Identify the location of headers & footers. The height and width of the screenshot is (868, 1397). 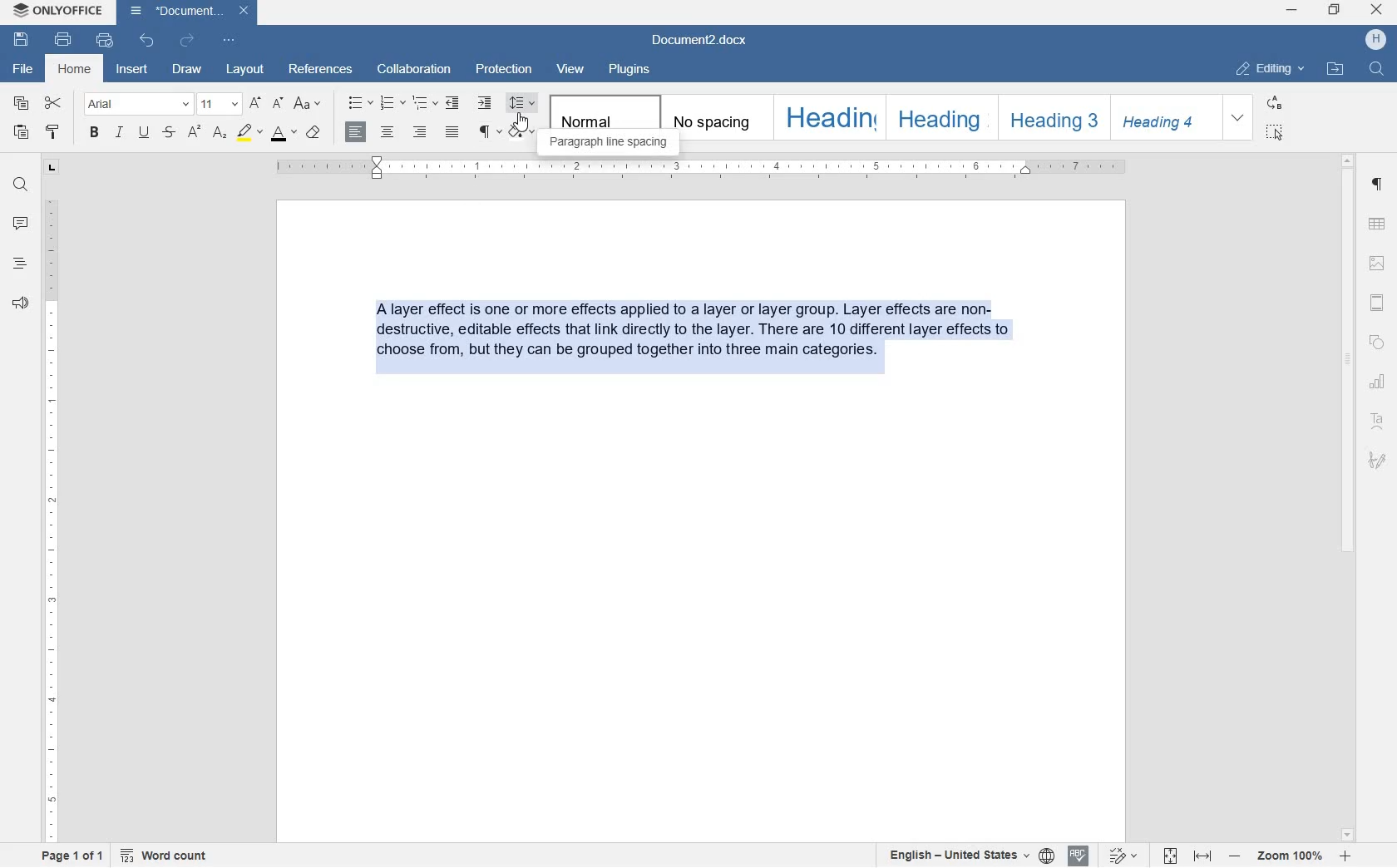
(1378, 302).